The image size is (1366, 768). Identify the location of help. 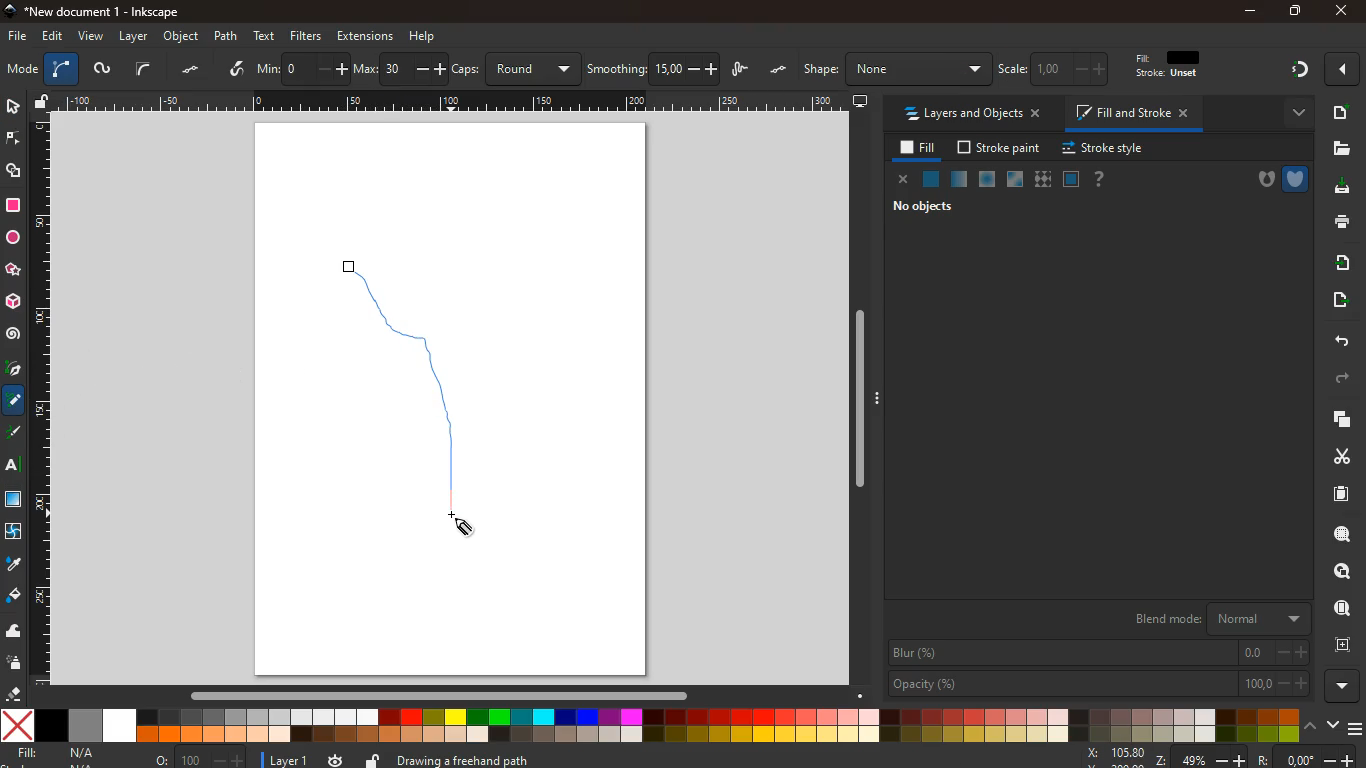
(422, 37).